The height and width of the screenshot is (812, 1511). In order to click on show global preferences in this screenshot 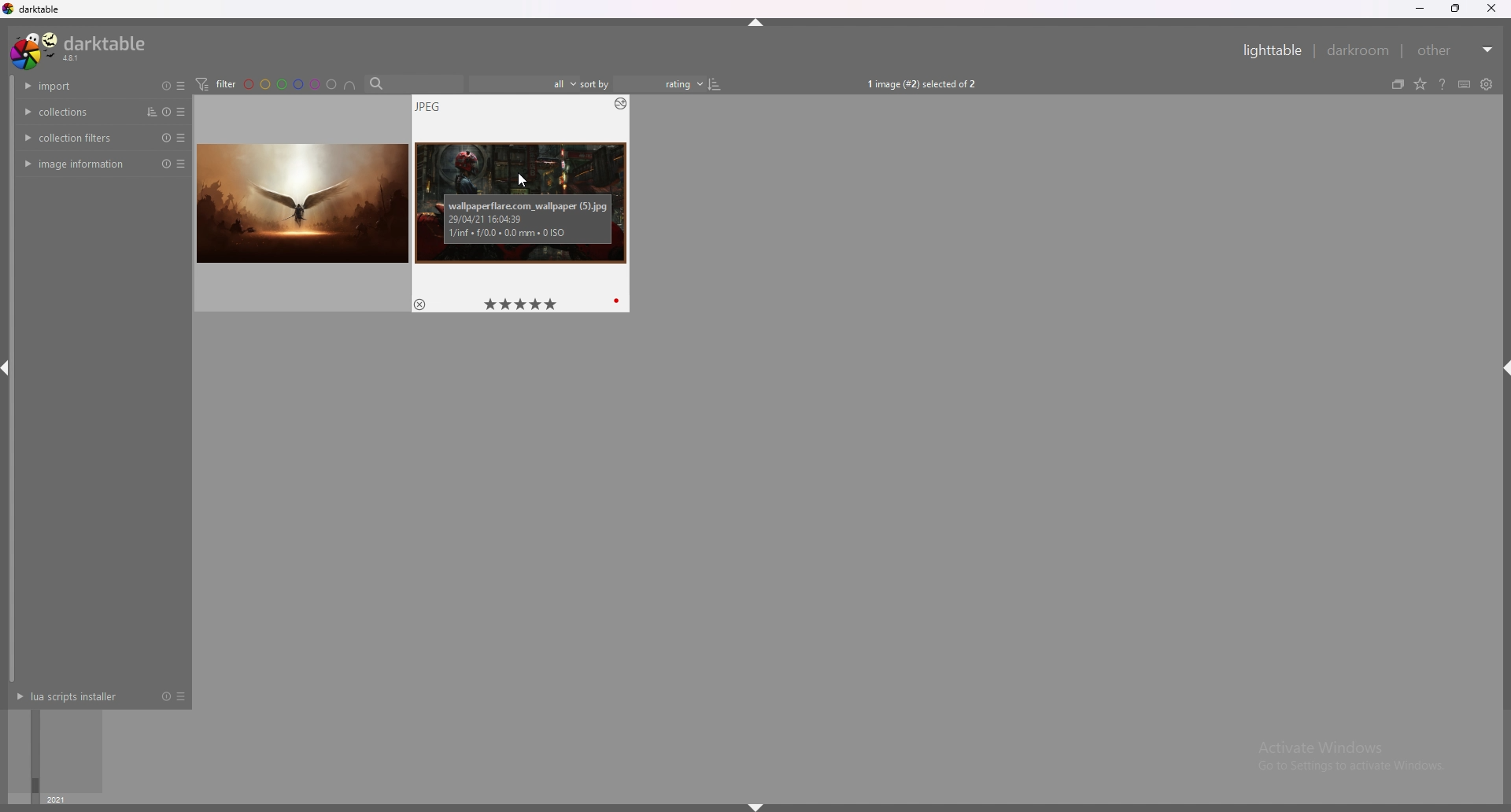, I will do `click(1486, 83)`.